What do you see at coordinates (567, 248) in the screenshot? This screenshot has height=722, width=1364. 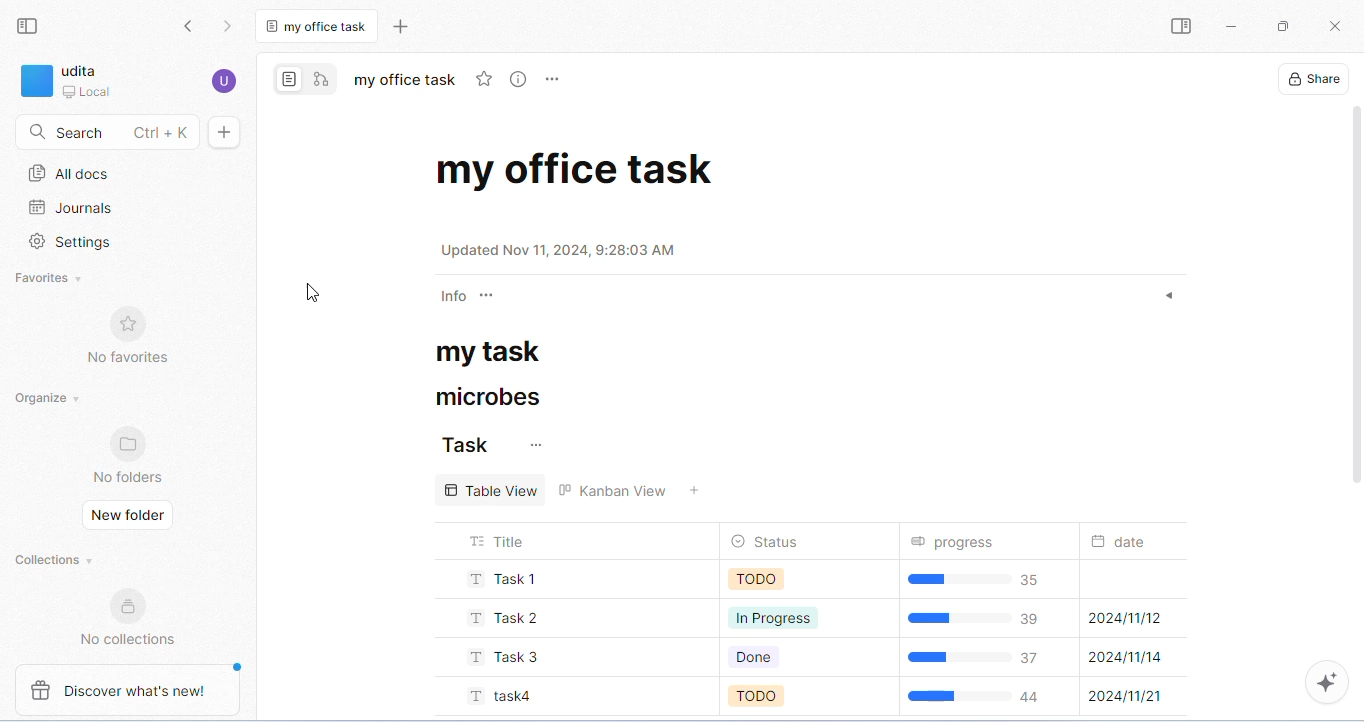 I see `time and date of update` at bounding box center [567, 248].